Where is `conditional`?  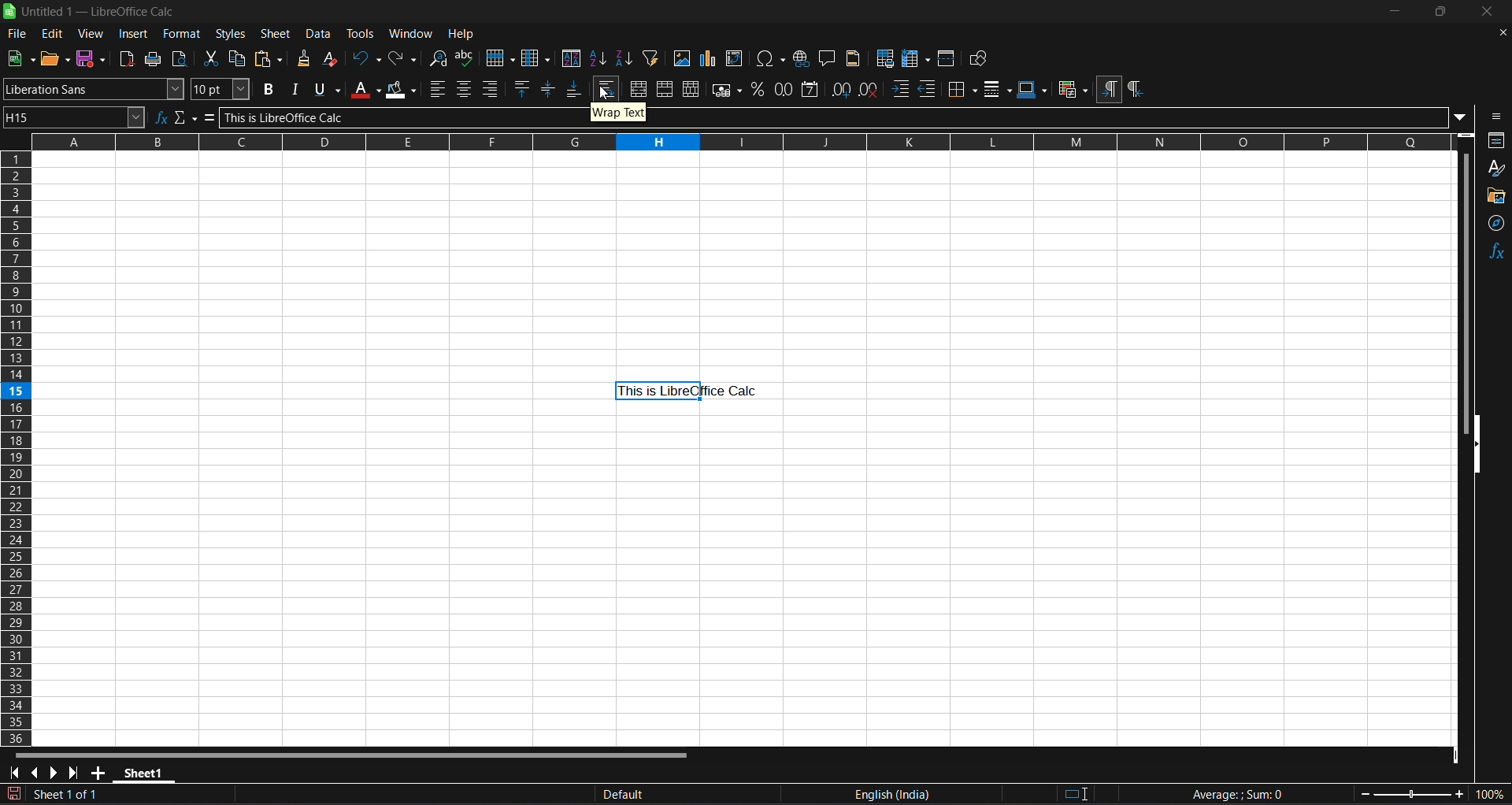
conditional is located at coordinates (1074, 88).